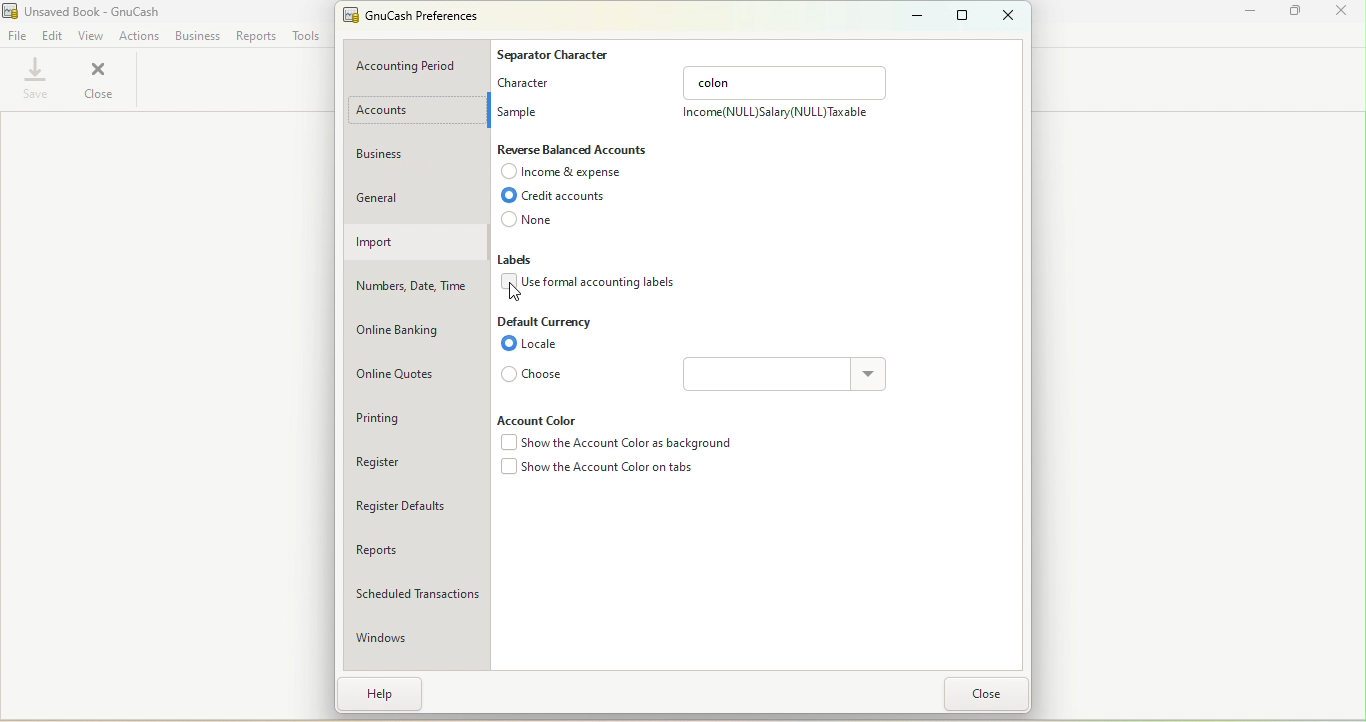 The image size is (1366, 722). Describe the element at coordinates (960, 15) in the screenshot. I see `Maximize` at that location.